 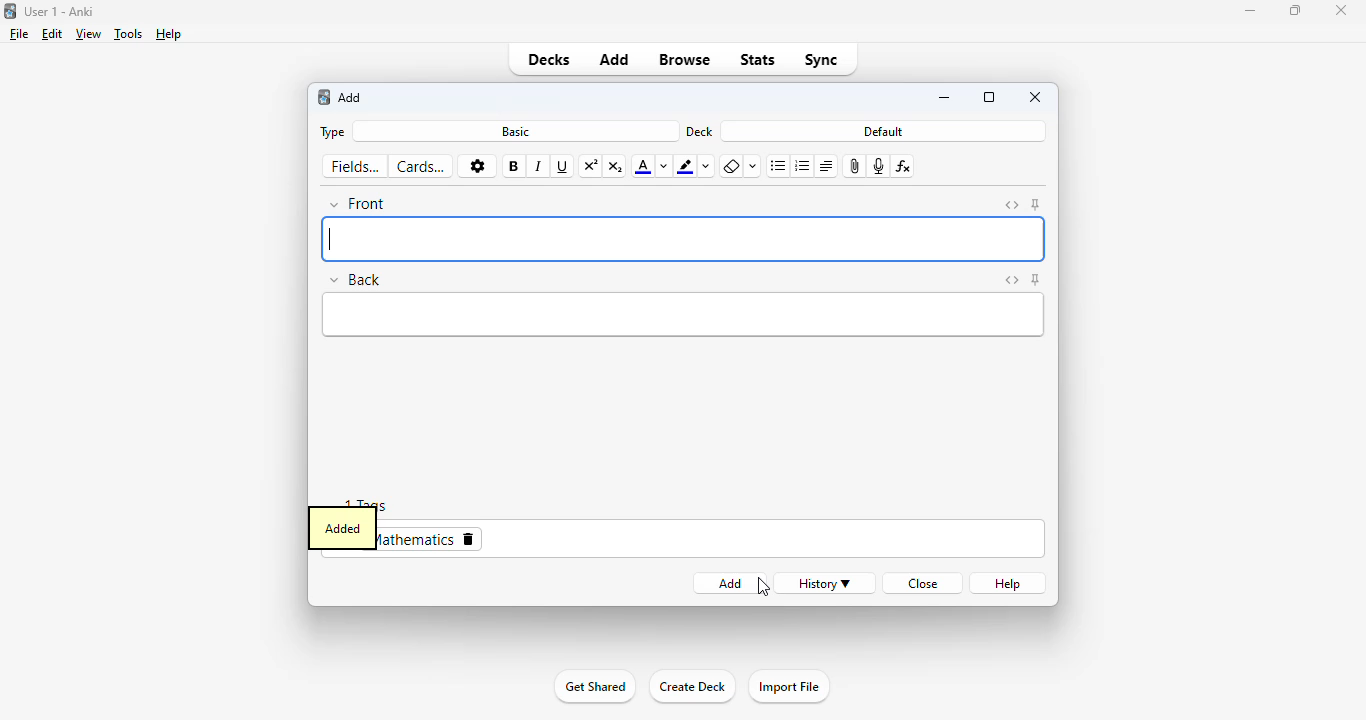 I want to click on underline, so click(x=563, y=167).